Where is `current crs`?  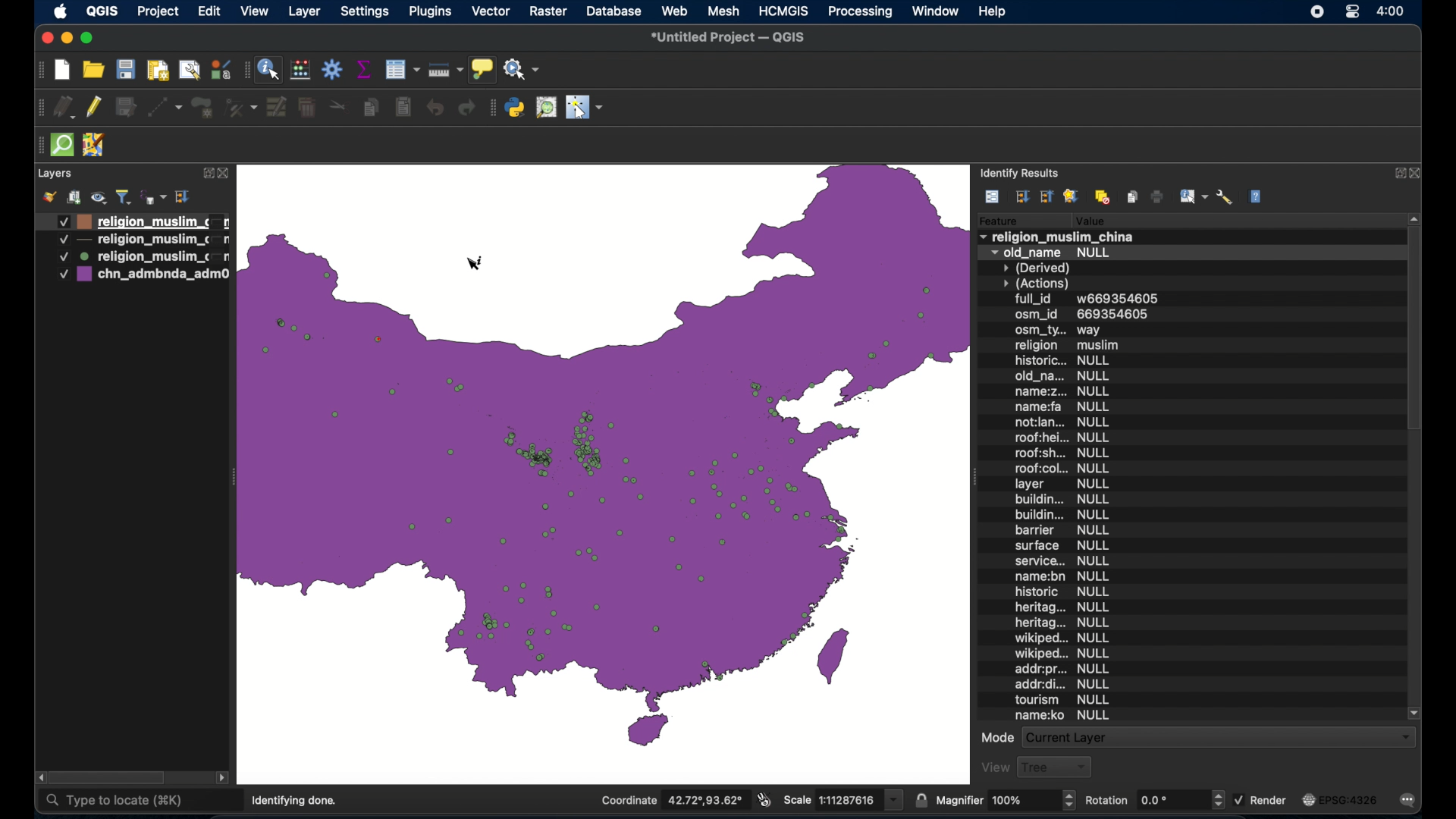 current crs is located at coordinates (1340, 799).